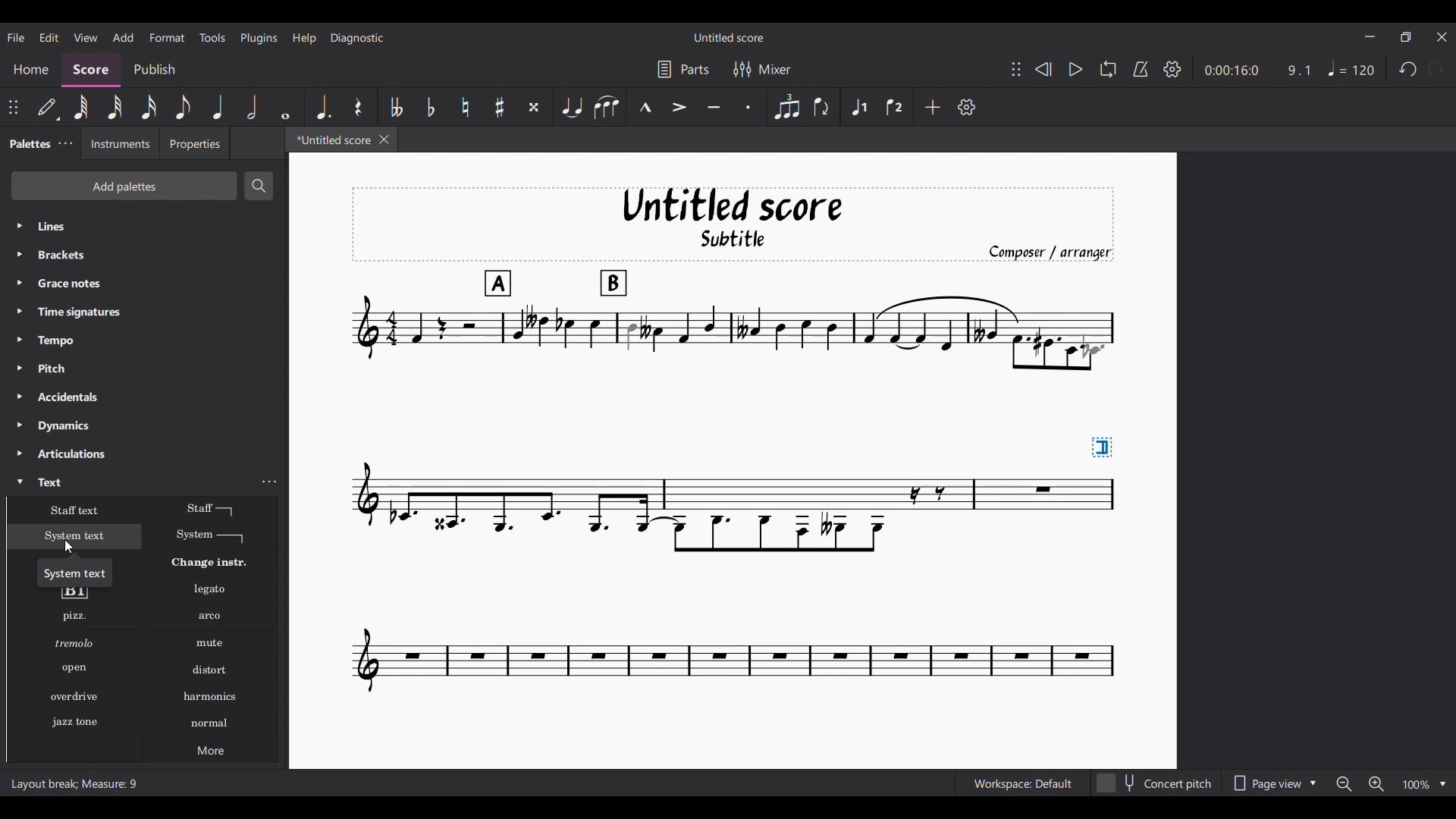  What do you see at coordinates (209, 697) in the screenshot?
I see `Harmonics` at bounding box center [209, 697].